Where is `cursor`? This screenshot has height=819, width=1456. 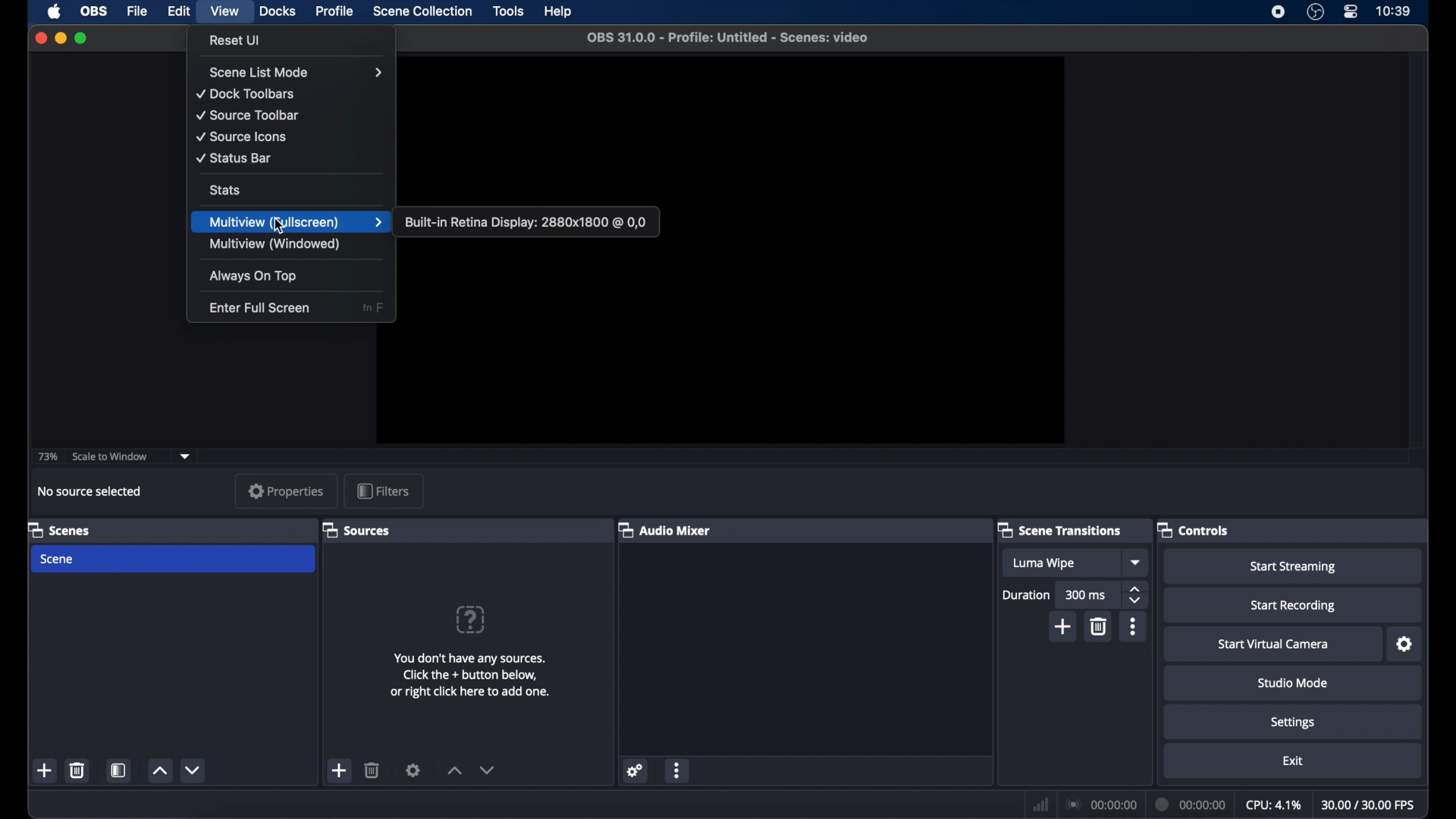
cursor is located at coordinates (279, 227).